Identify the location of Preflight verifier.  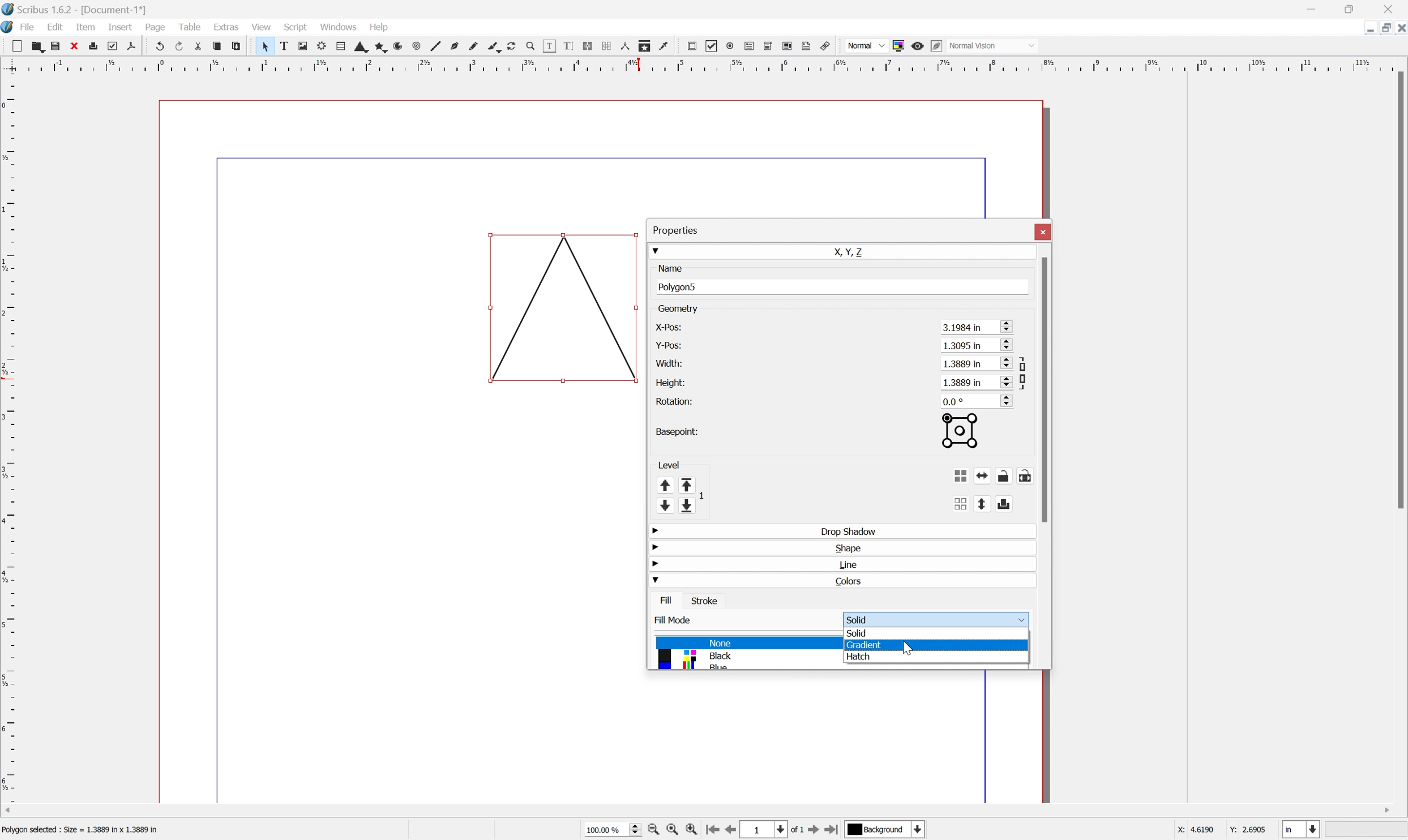
(112, 46).